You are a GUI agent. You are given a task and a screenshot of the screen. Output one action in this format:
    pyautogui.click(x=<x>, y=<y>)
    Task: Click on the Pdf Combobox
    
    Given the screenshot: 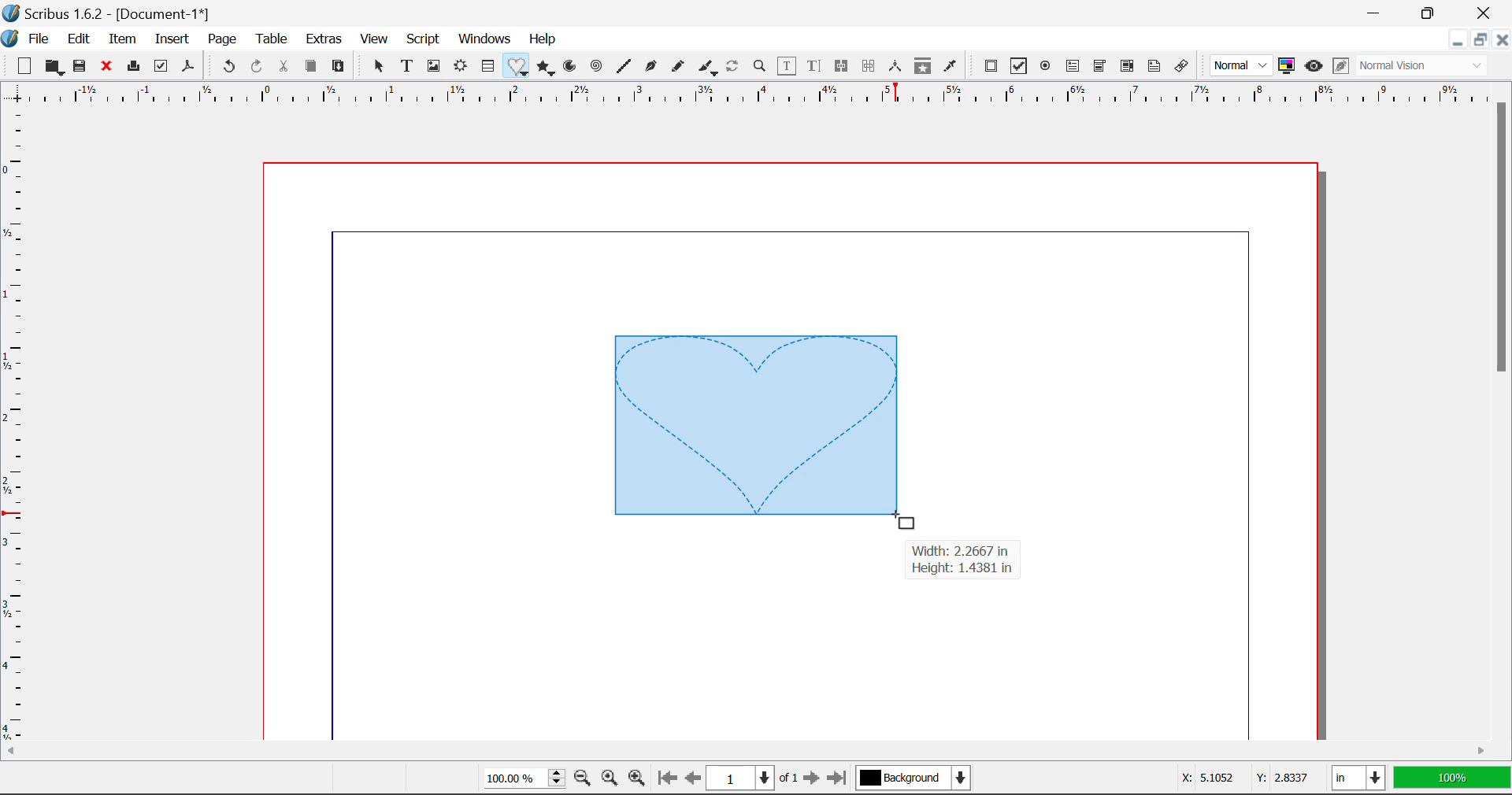 What is the action you would take?
    pyautogui.click(x=1101, y=68)
    